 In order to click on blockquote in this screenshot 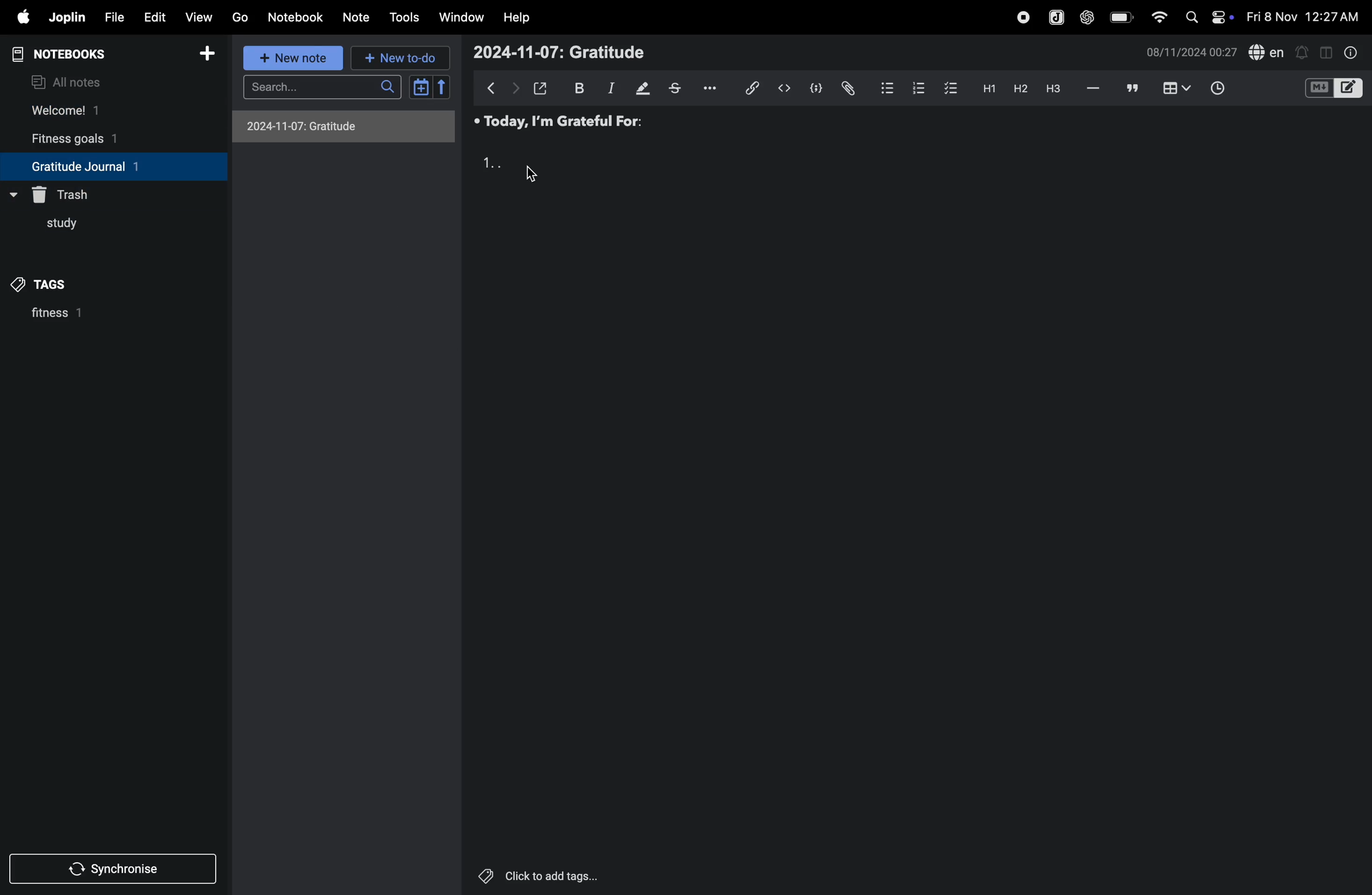, I will do `click(1133, 88)`.